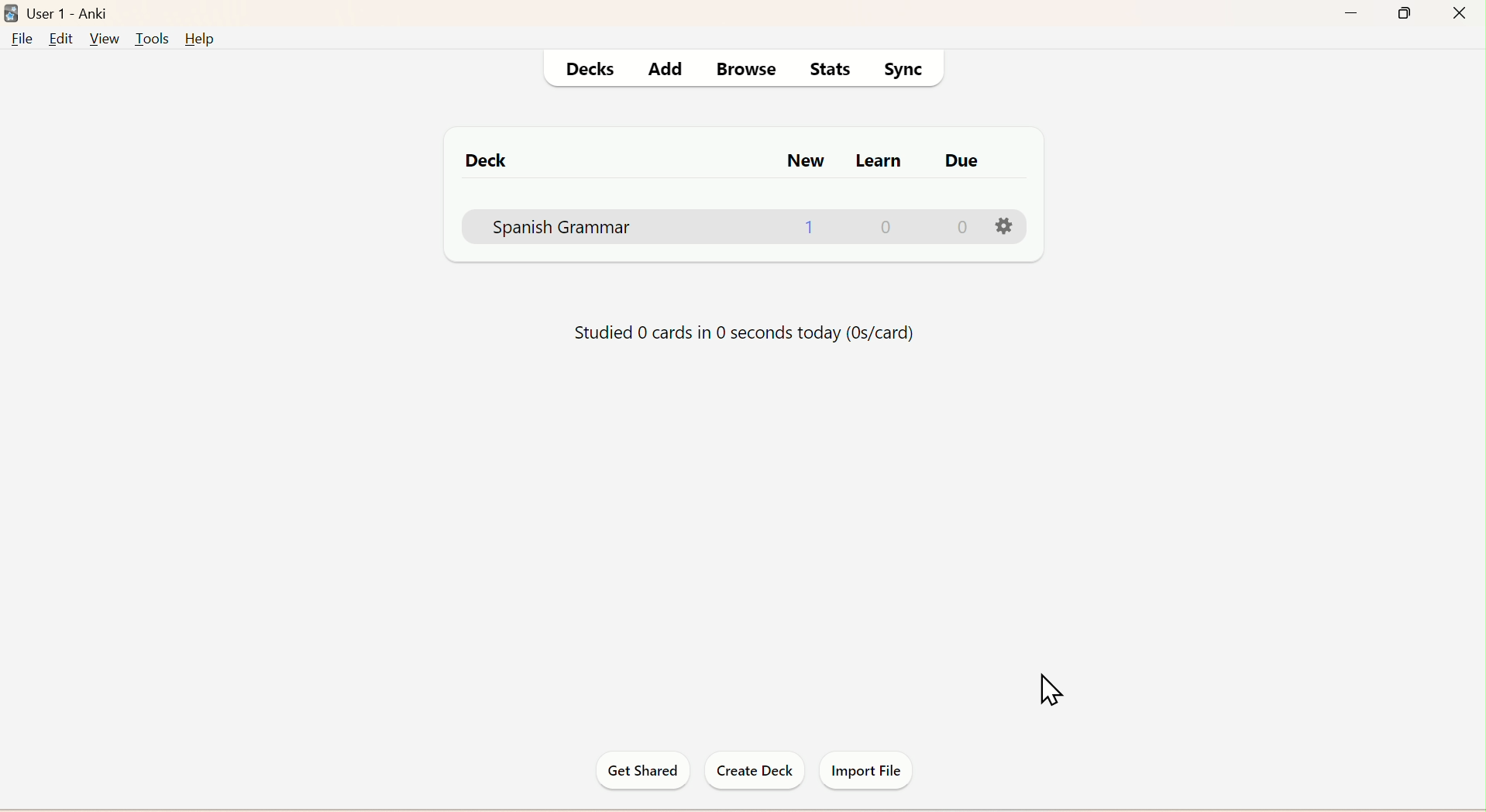  I want to click on Add, so click(663, 68).